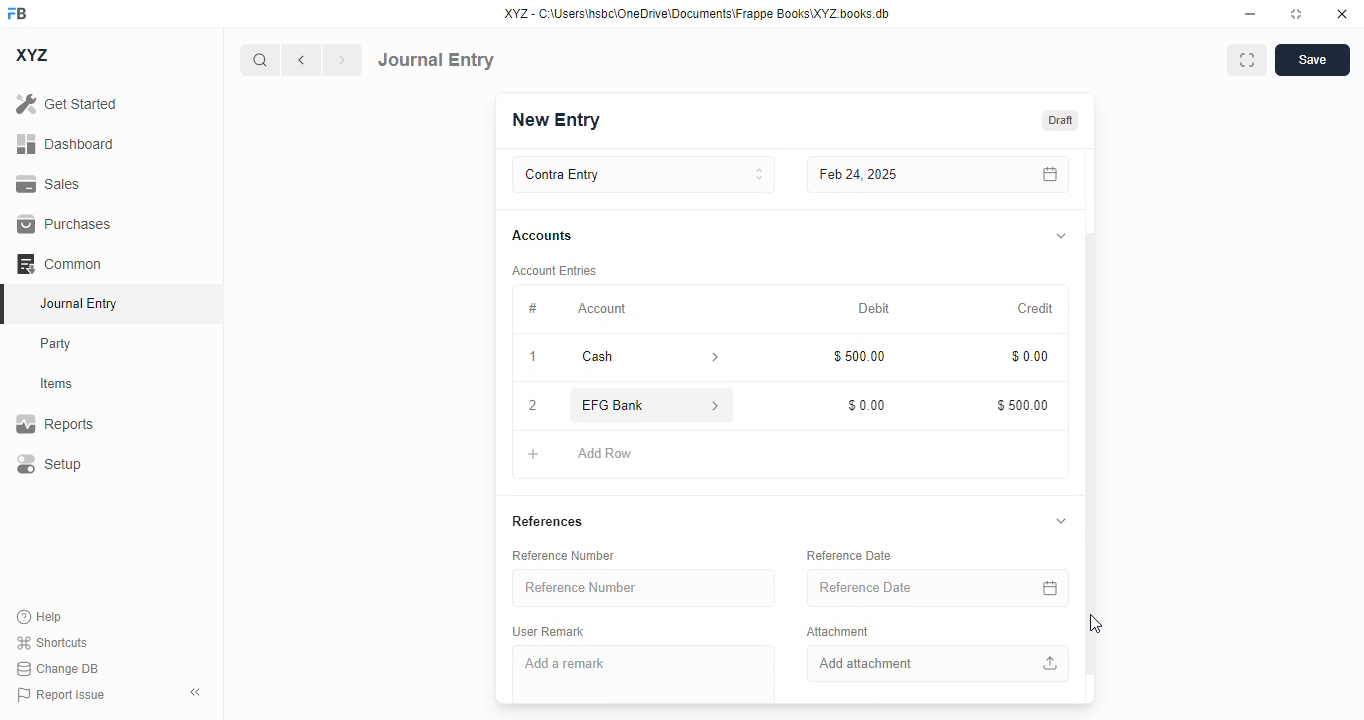 Image resolution: width=1364 pixels, height=720 pixels. I want to click on account information, so click(714, 405).